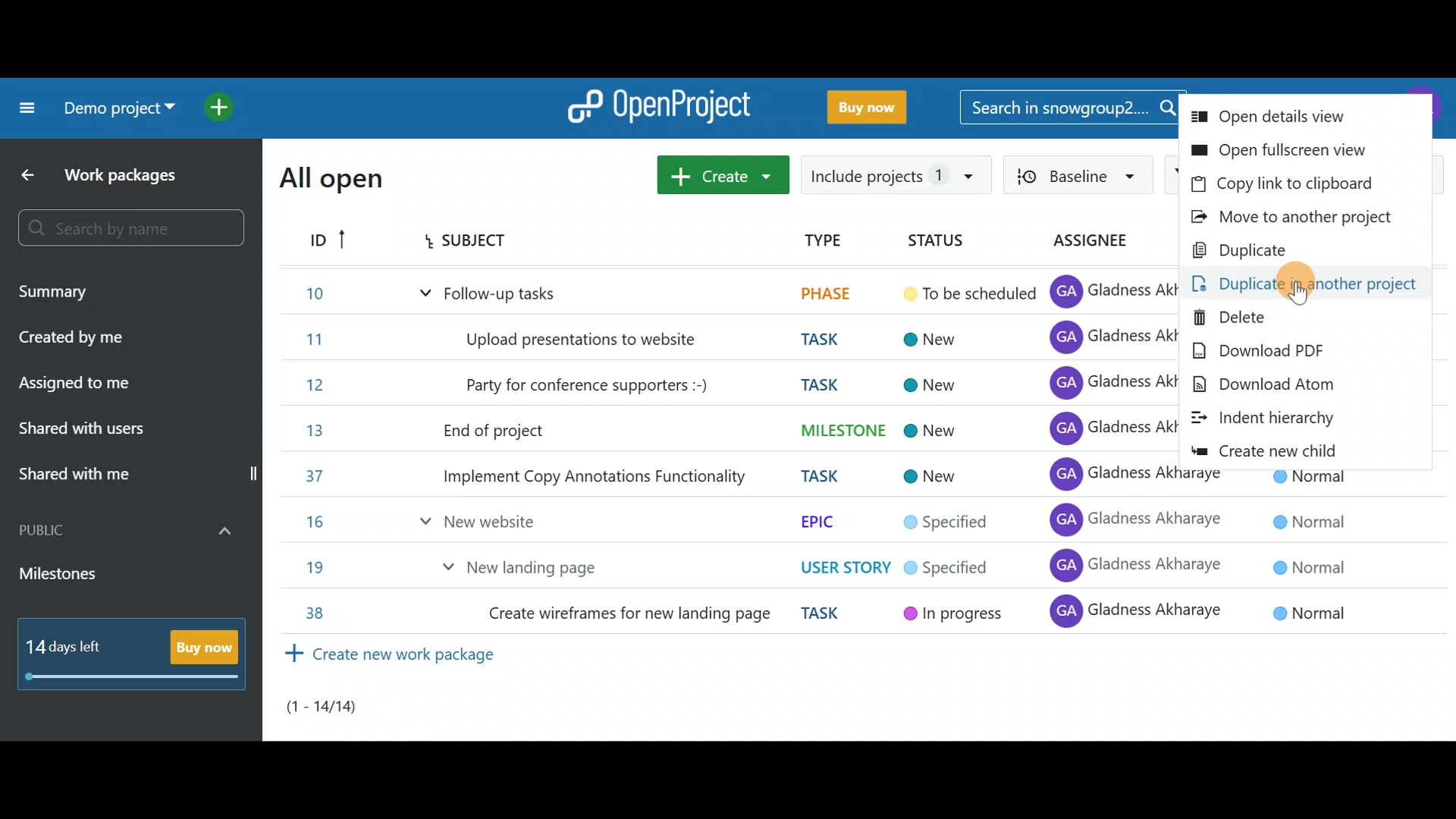 The height and width of the screenshot is (819, 1456). What do you see at coordinates (586, 340) in the screenshot?
I see `Upload presentations to website` at bounding box center [586, 340].